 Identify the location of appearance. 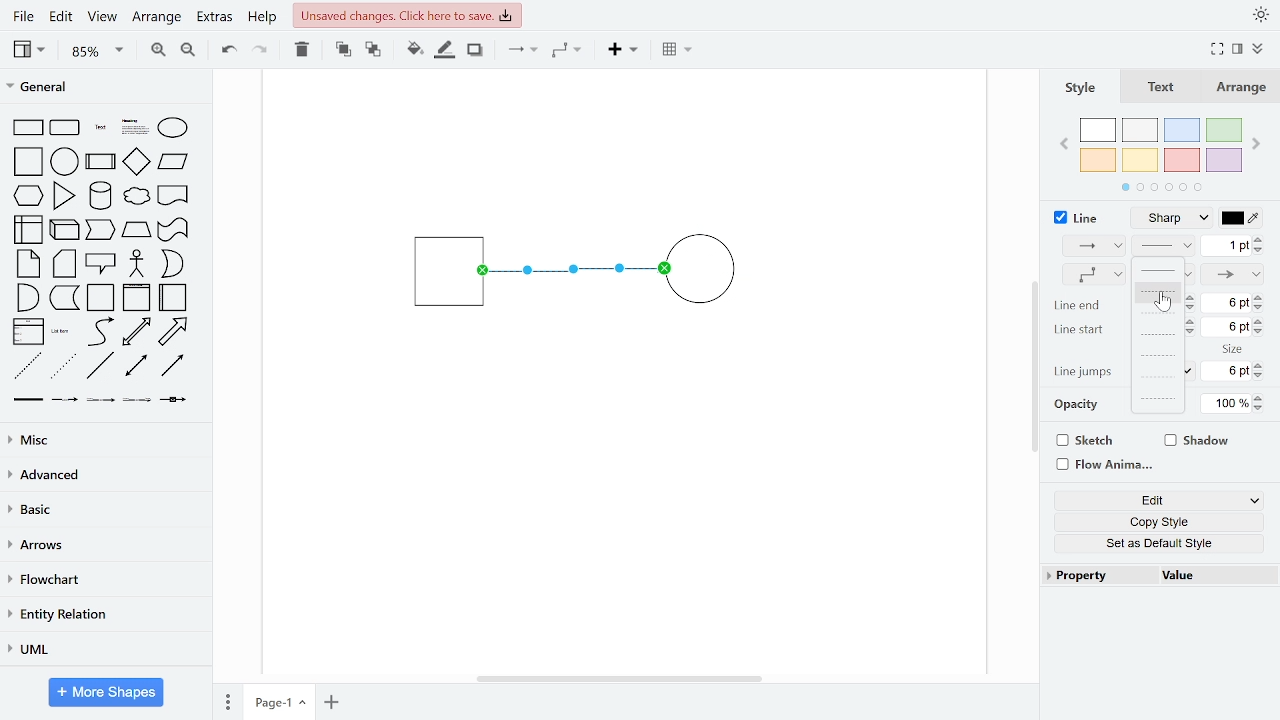
(1260, 15).